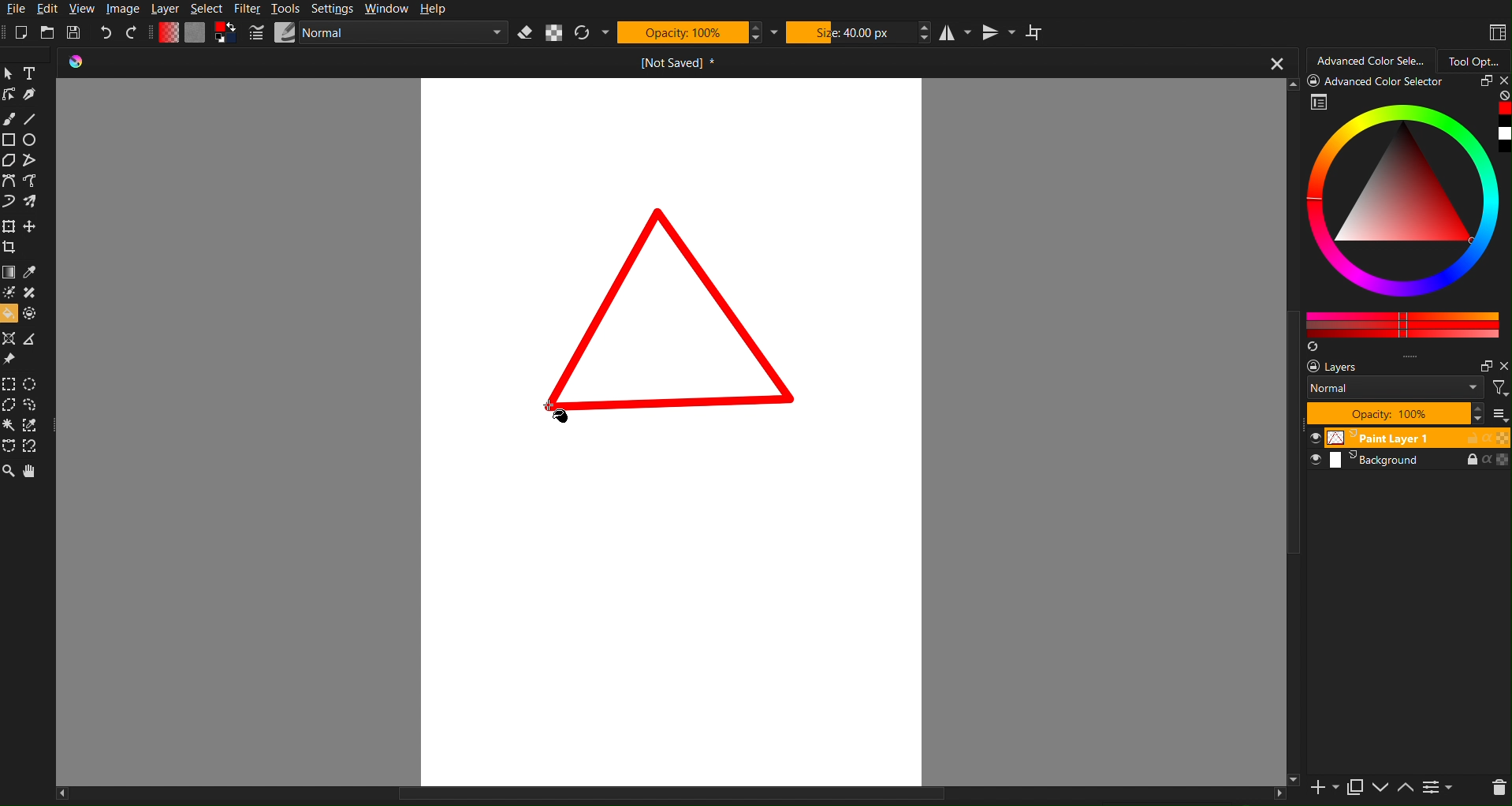 Image resolution: width=1512 pixels, height=806 pixels. Describe the element at coordinates (48, 32) in the screenshot. I see `Open` at that location.